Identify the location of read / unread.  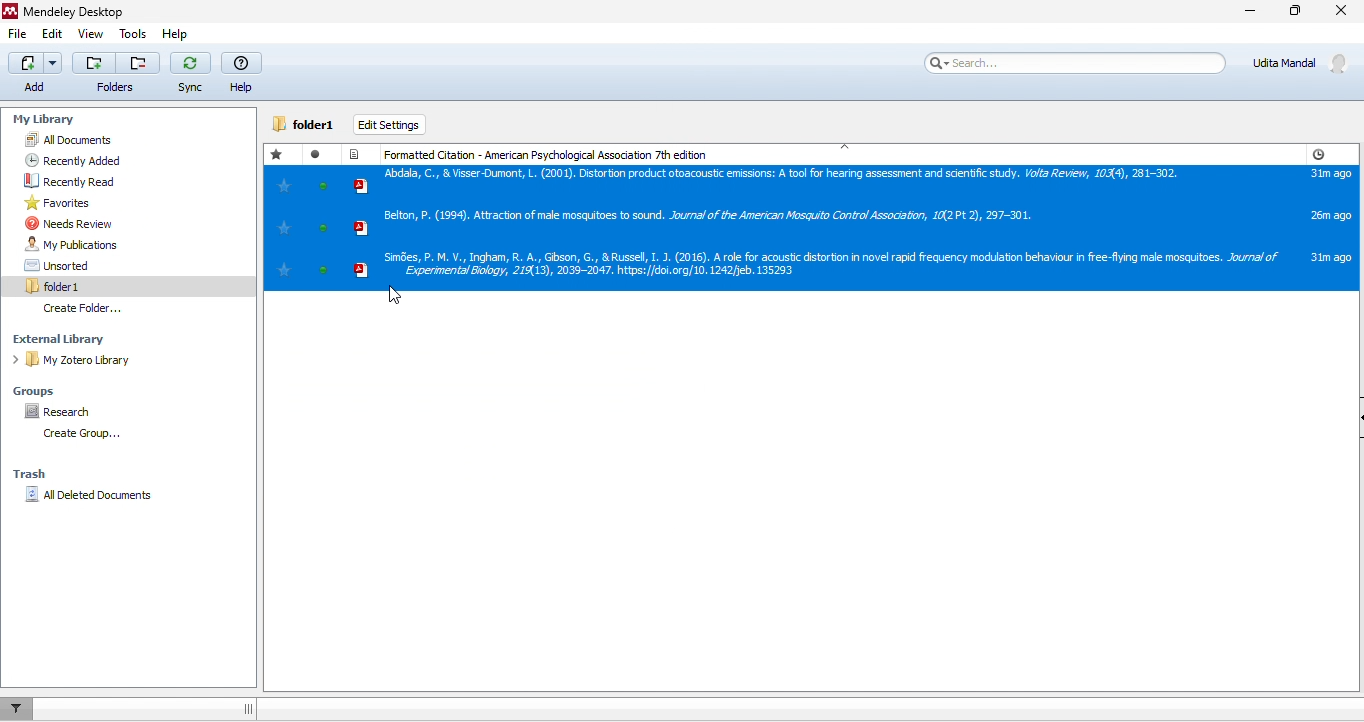
(320, 153).